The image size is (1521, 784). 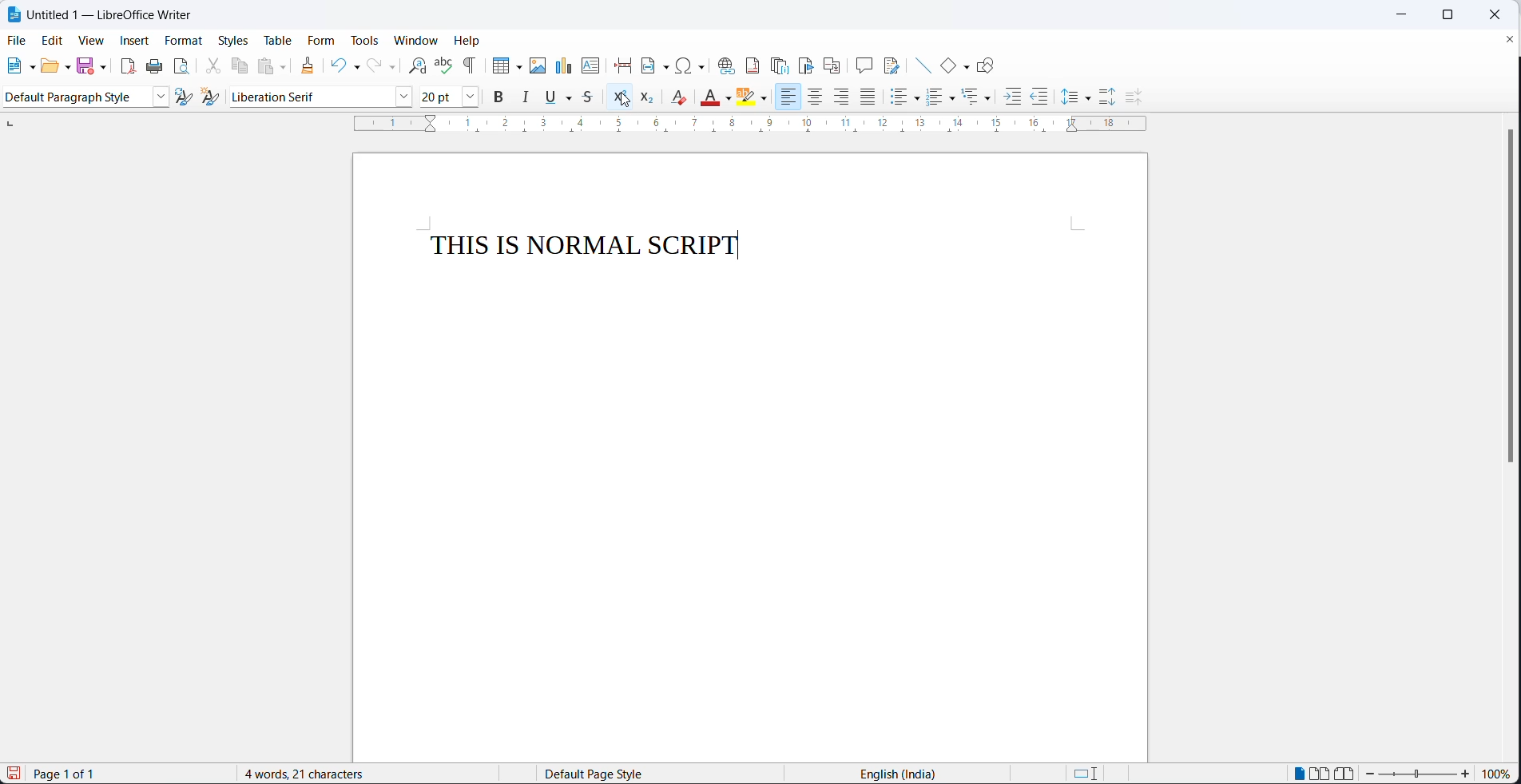 I want to click on multipage view, so click(x=1321, y=773).